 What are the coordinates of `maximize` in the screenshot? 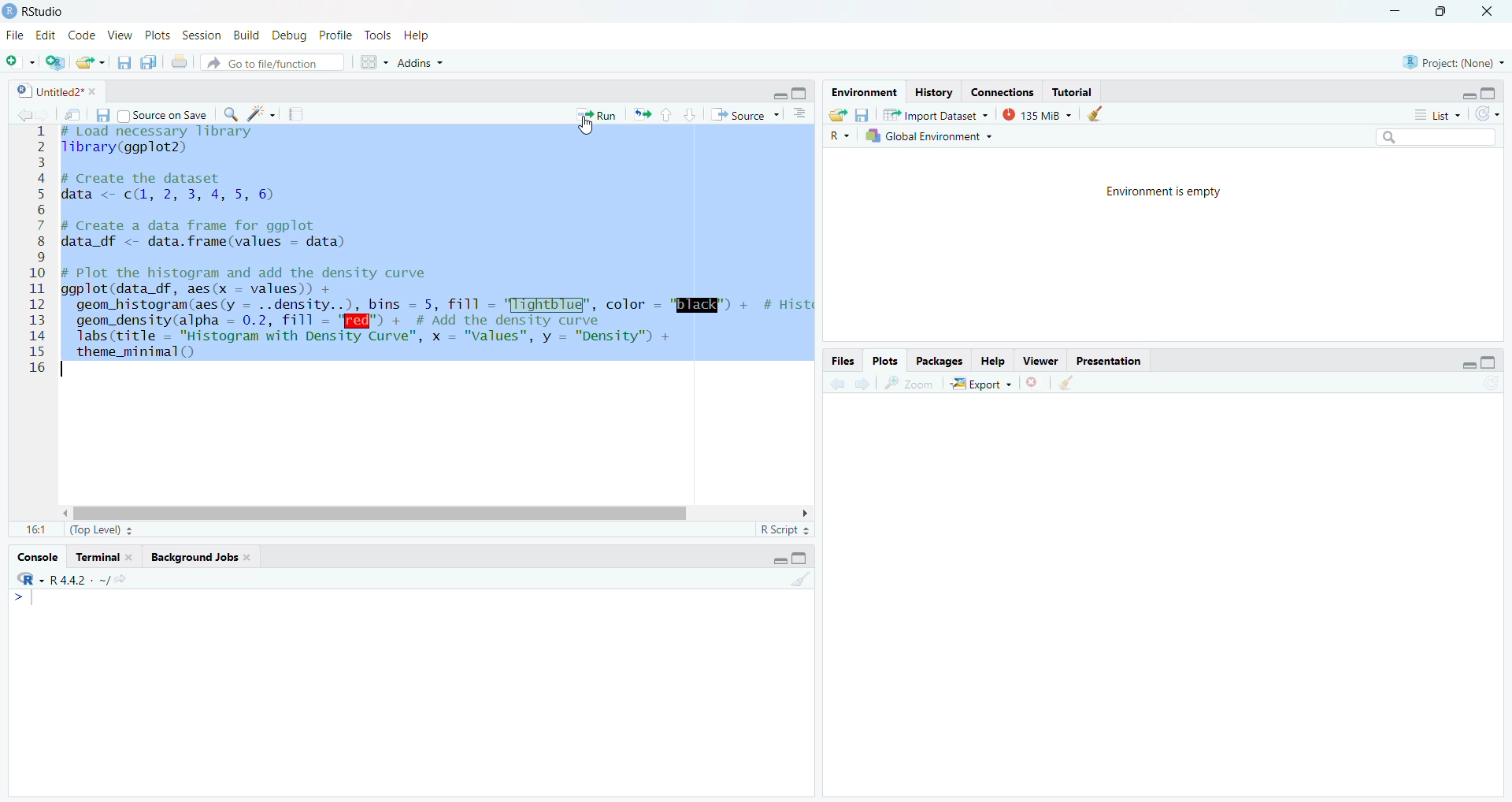 It's located at (799, 94).